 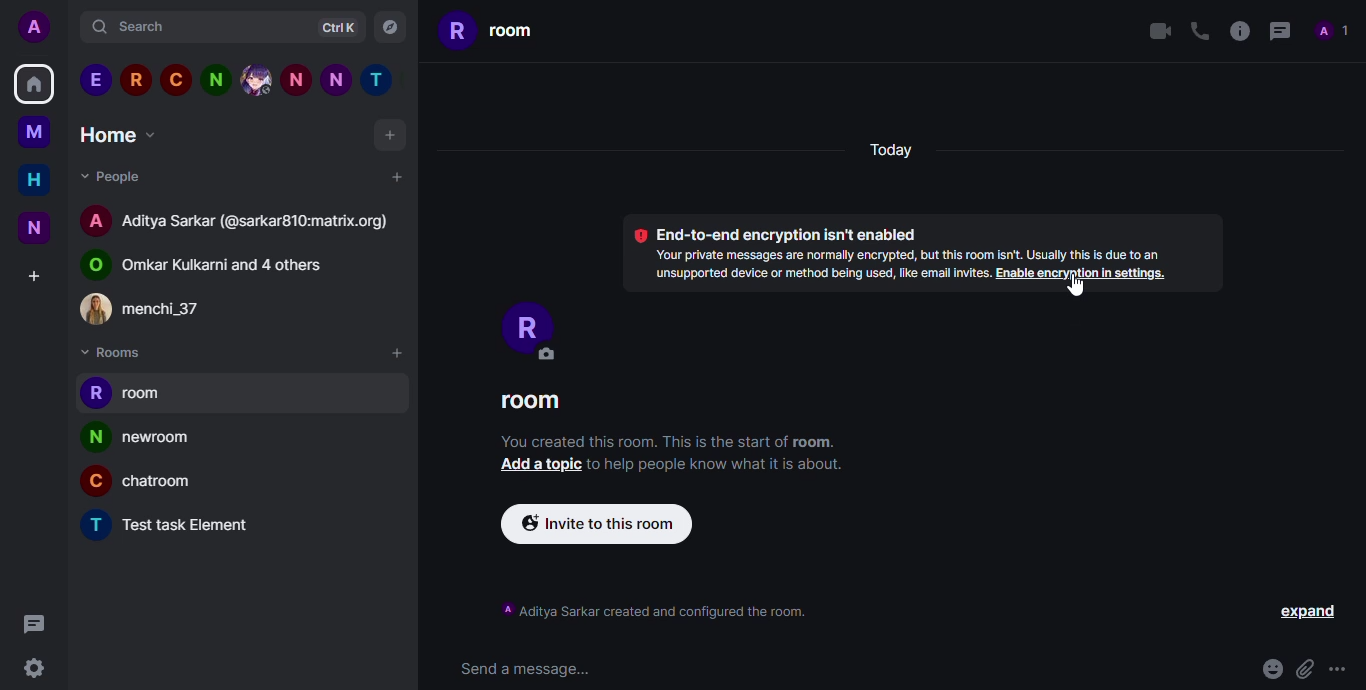 I want to click on rooms dropdown, so click(x=112, y=353).